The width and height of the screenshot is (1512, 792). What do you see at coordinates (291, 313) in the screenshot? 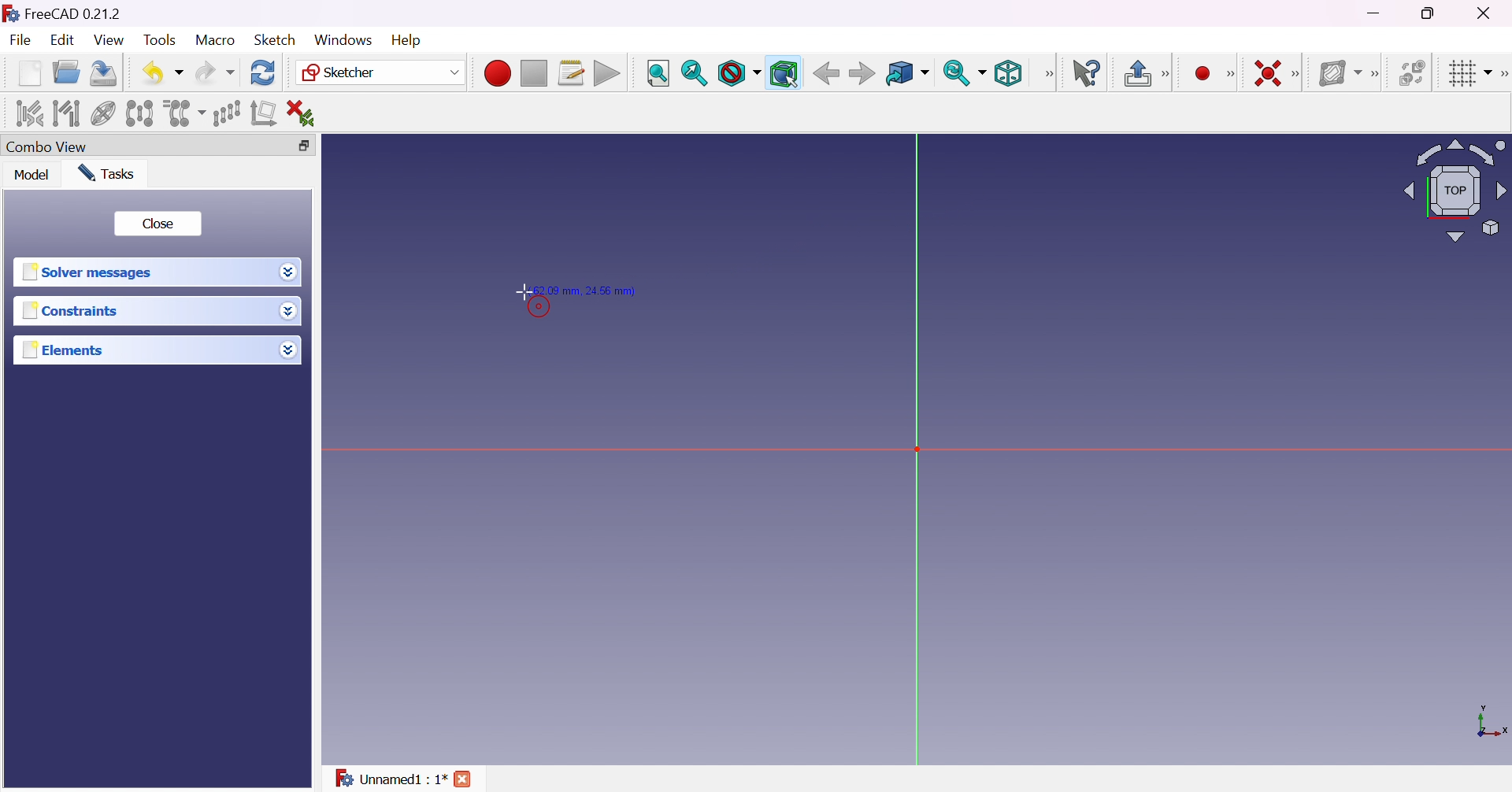
I see `Drop` at bounding box center [291, 313].